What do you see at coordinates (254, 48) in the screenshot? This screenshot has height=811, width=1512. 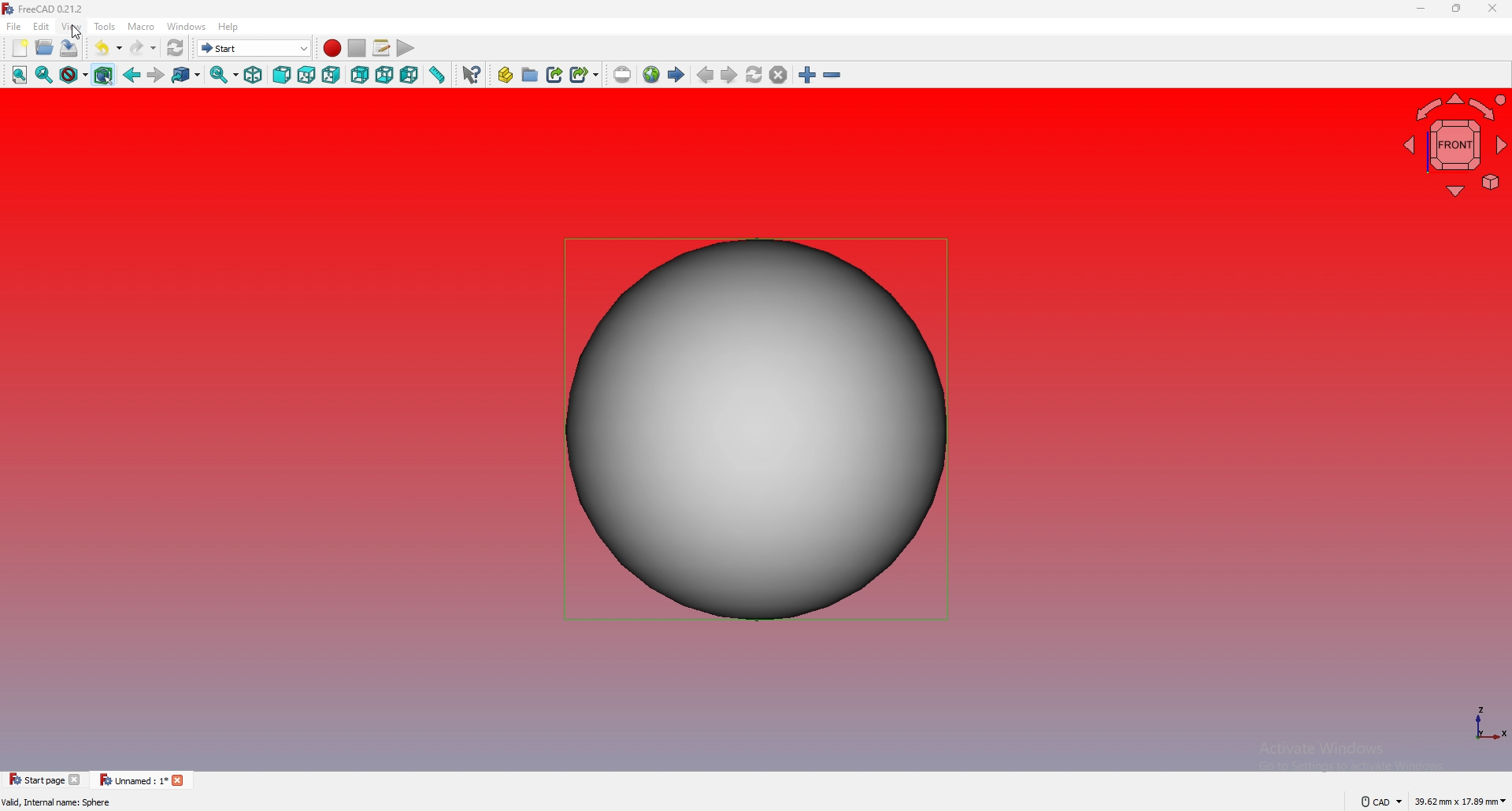 I see `choose workbench` at bounding box center [254, 48].